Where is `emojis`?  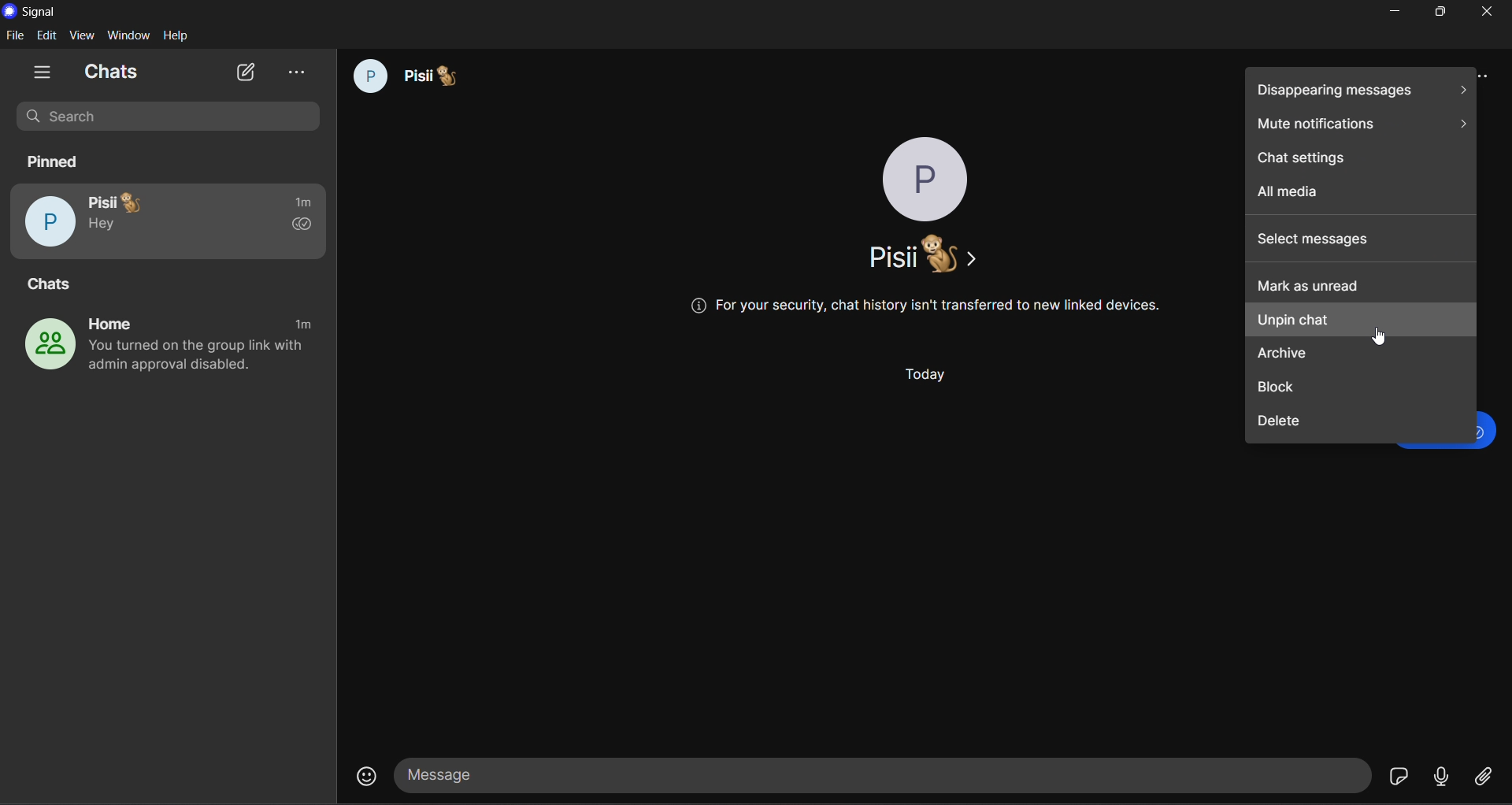 emojis is located at coordinates (357, 773).